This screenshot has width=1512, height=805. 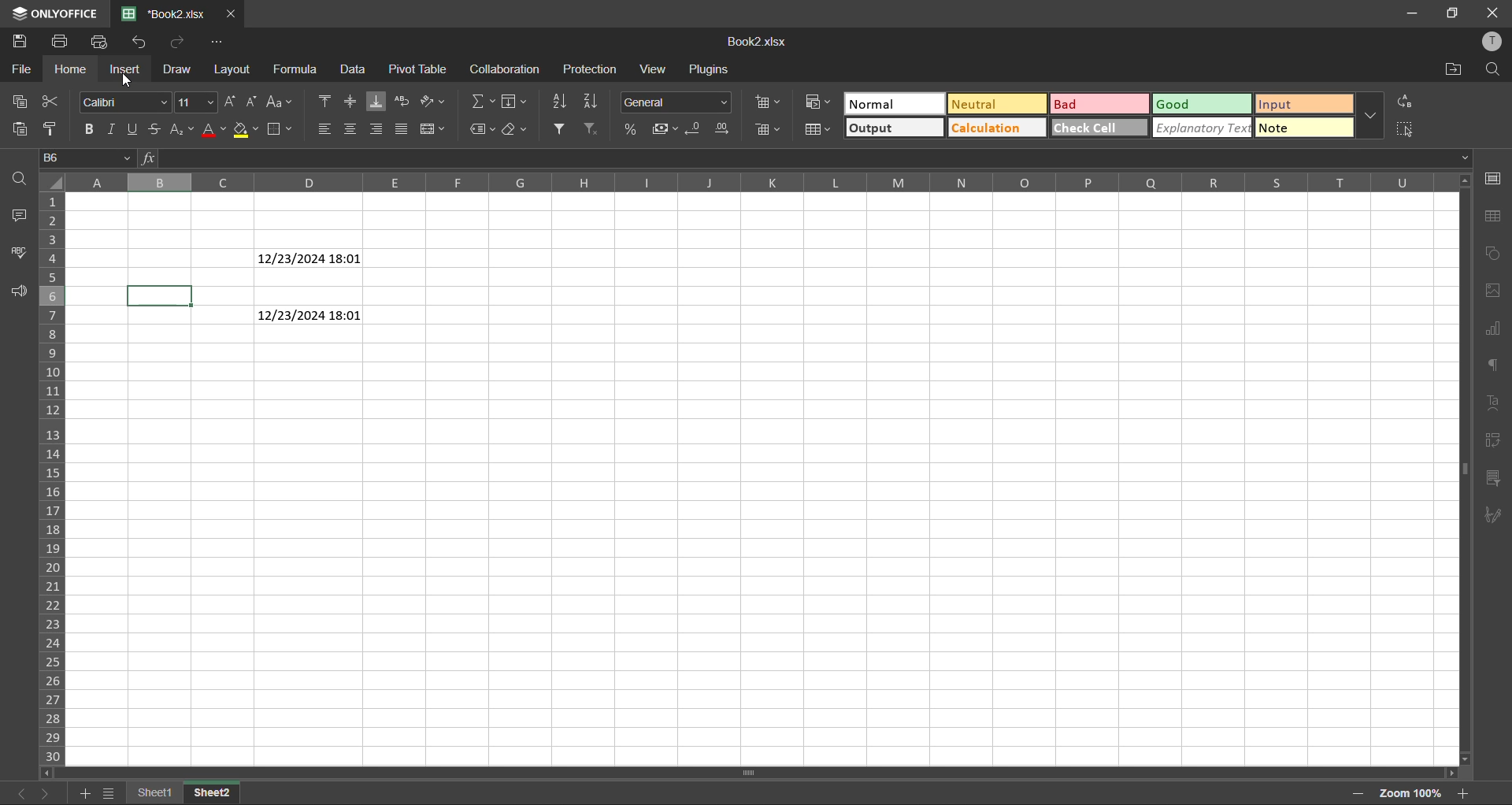 What do you see at coordinates (485, 129) in the screenshot?
I see `named ranges` at bounding box center [485, 129].